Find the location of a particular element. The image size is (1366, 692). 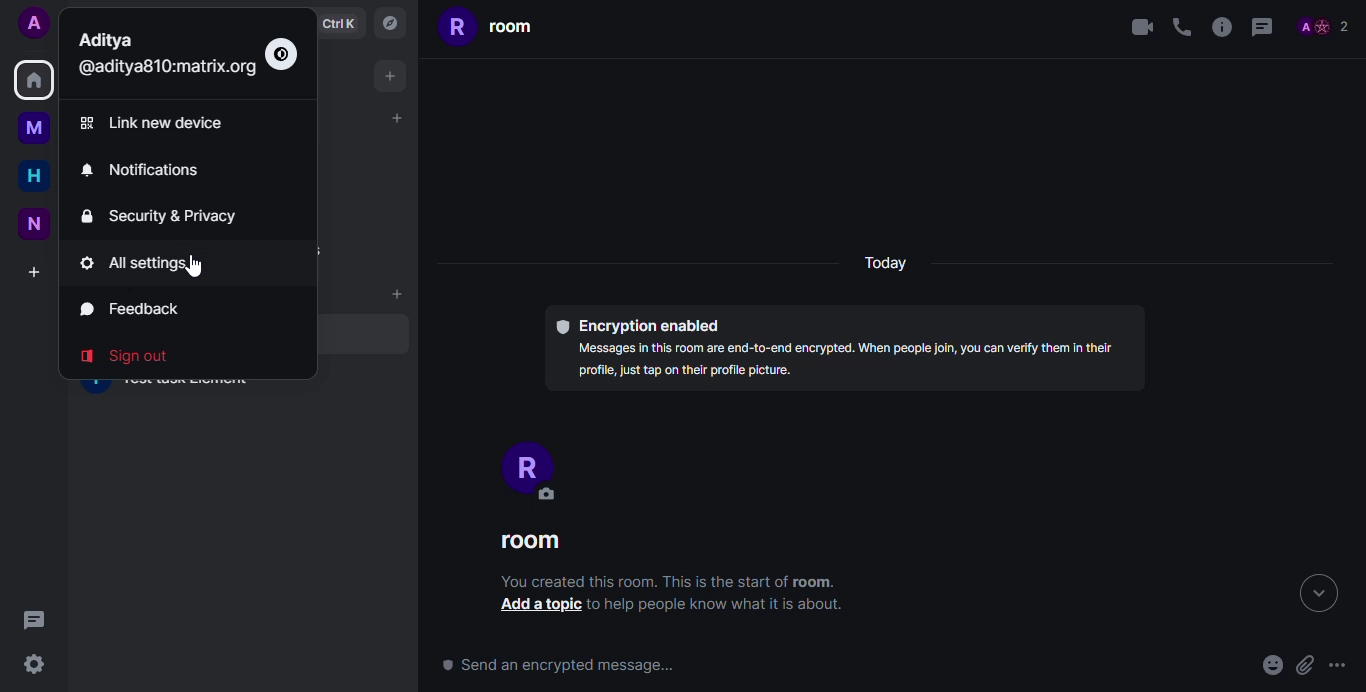

room is located at coordinates (534, 543).